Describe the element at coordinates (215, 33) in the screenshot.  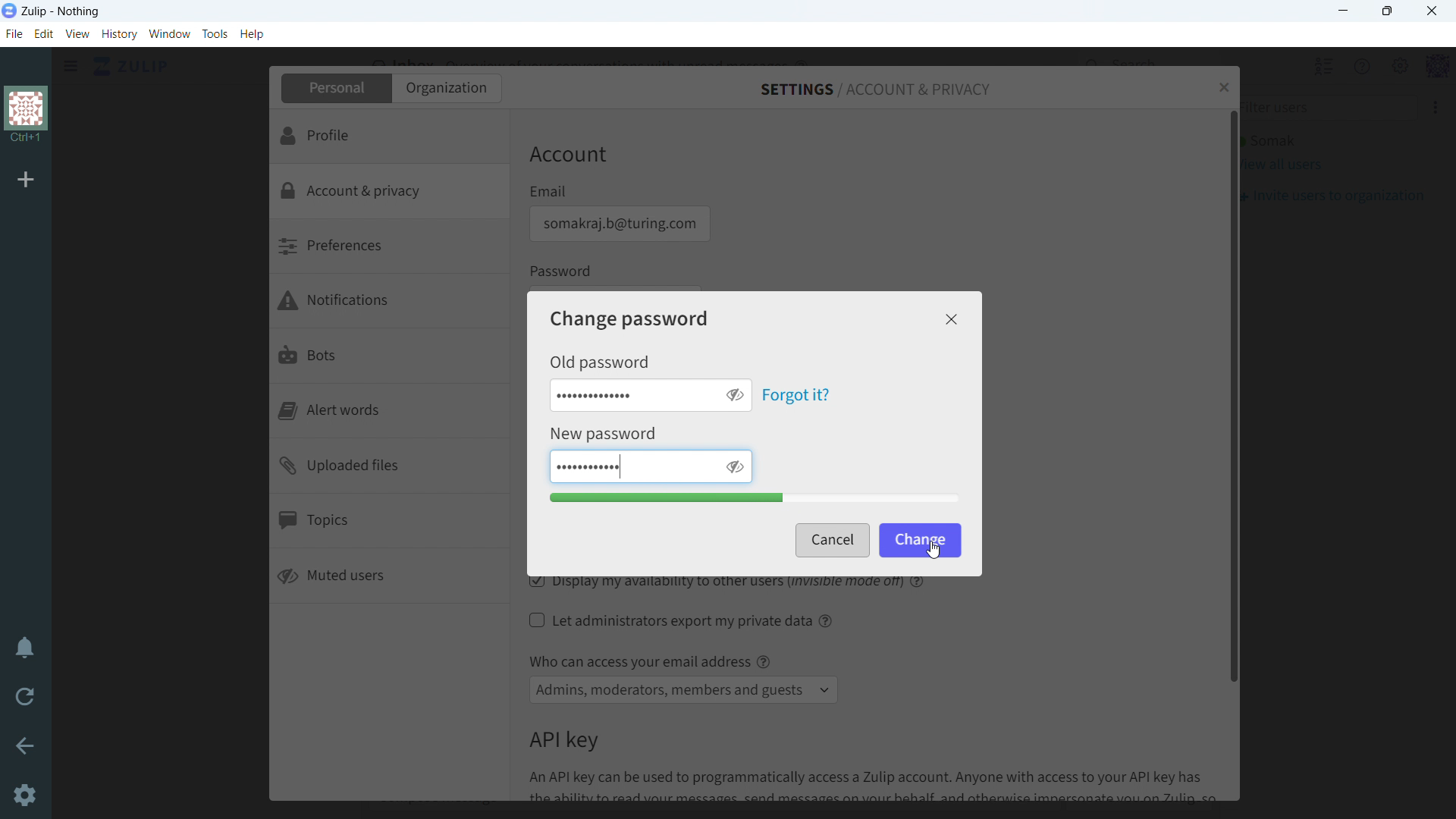
I see `tools` at that location.